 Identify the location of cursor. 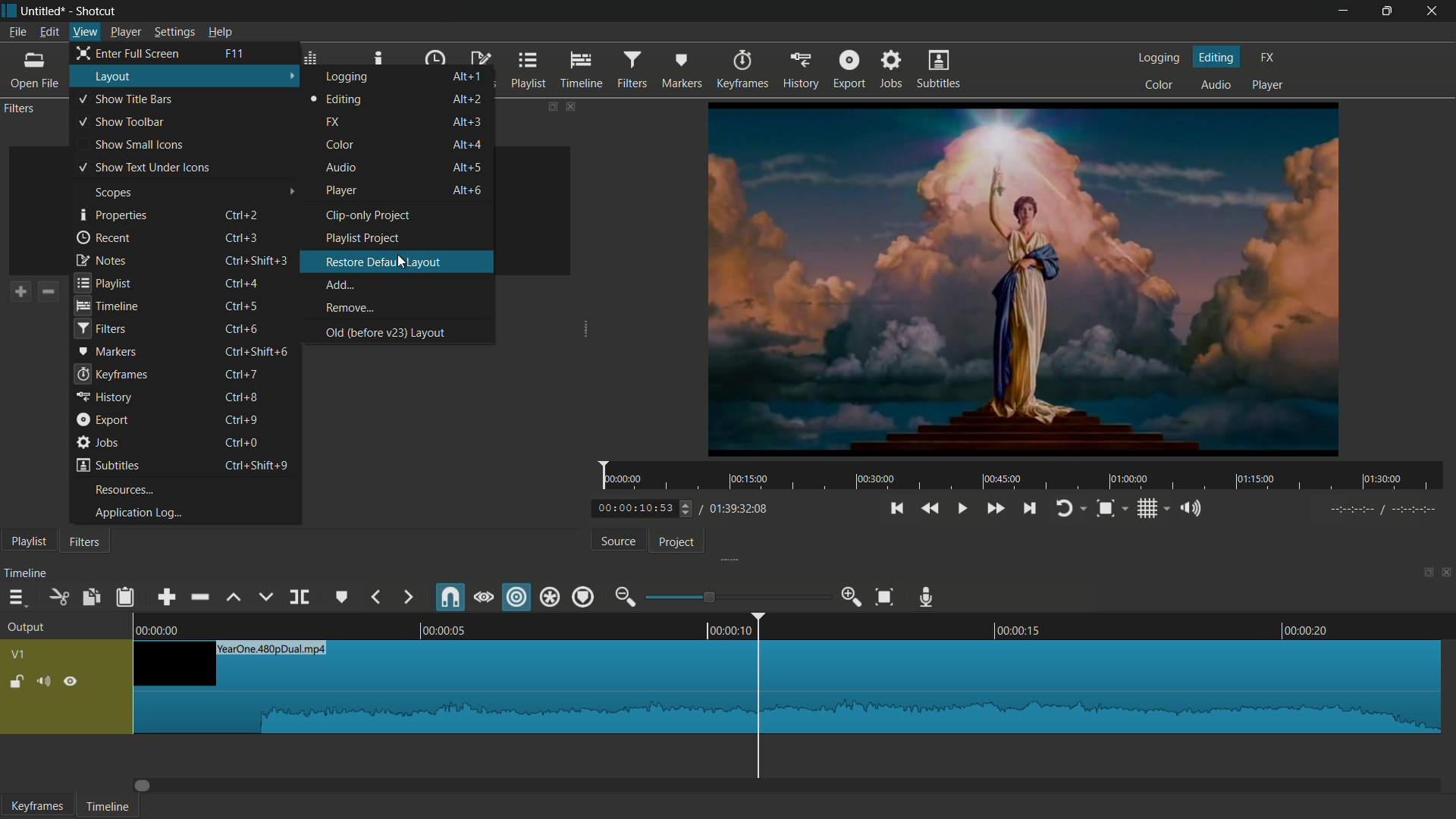
(403, 260).